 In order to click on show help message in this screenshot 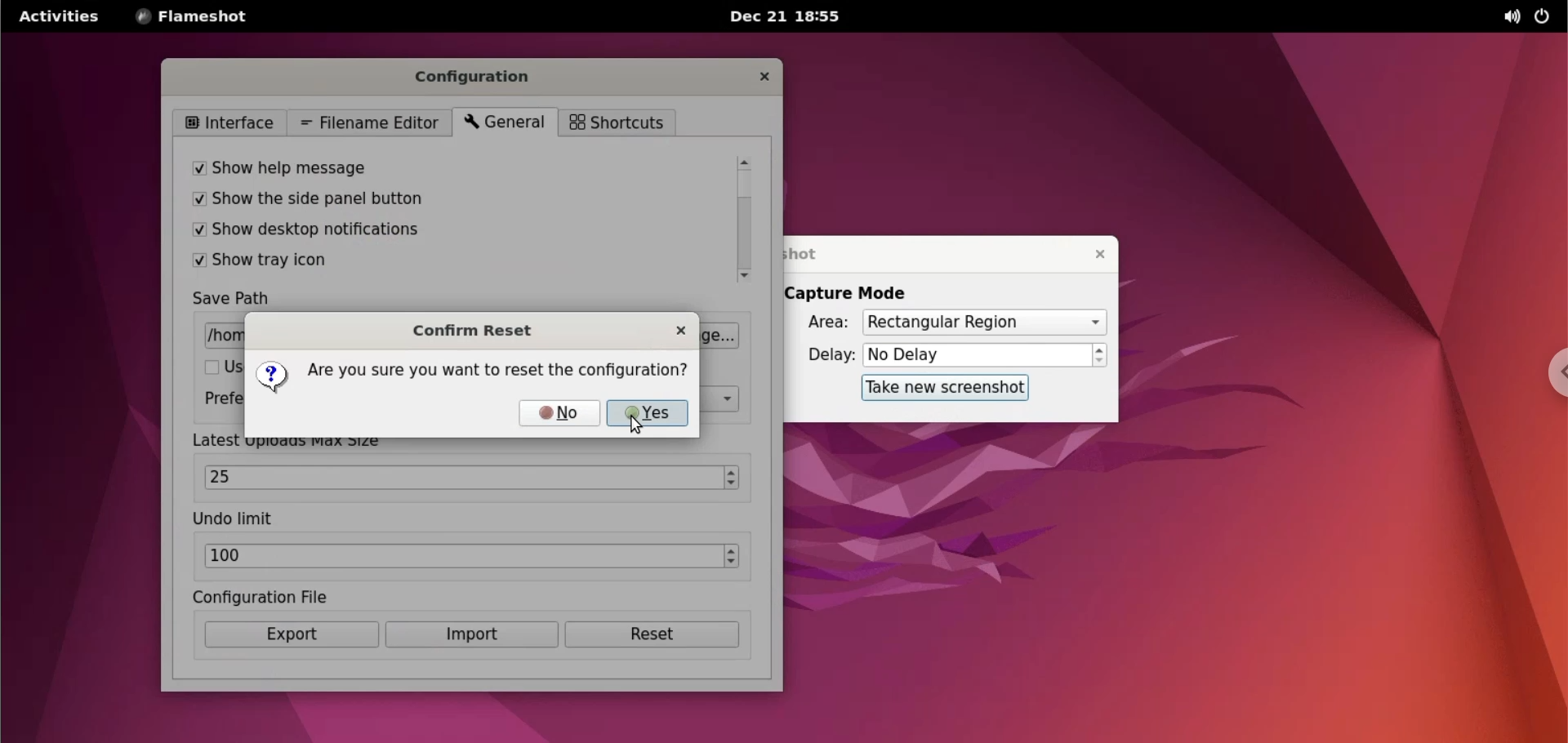, I will do `click(398, 163)`.